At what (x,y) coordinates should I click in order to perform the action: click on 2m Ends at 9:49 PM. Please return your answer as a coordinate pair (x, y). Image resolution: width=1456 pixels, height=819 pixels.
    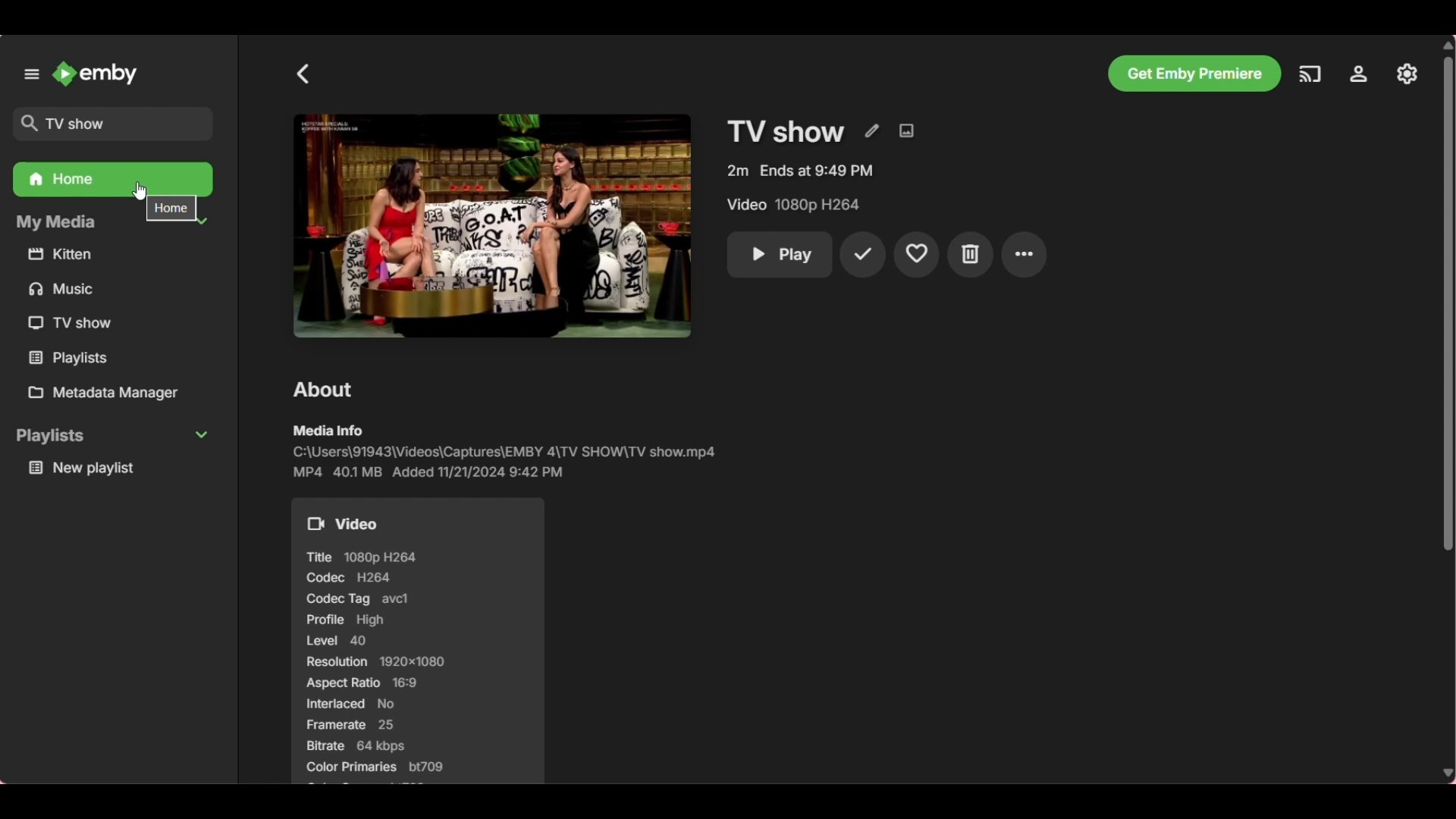
    Looking at the image, I should click on (802, 170).